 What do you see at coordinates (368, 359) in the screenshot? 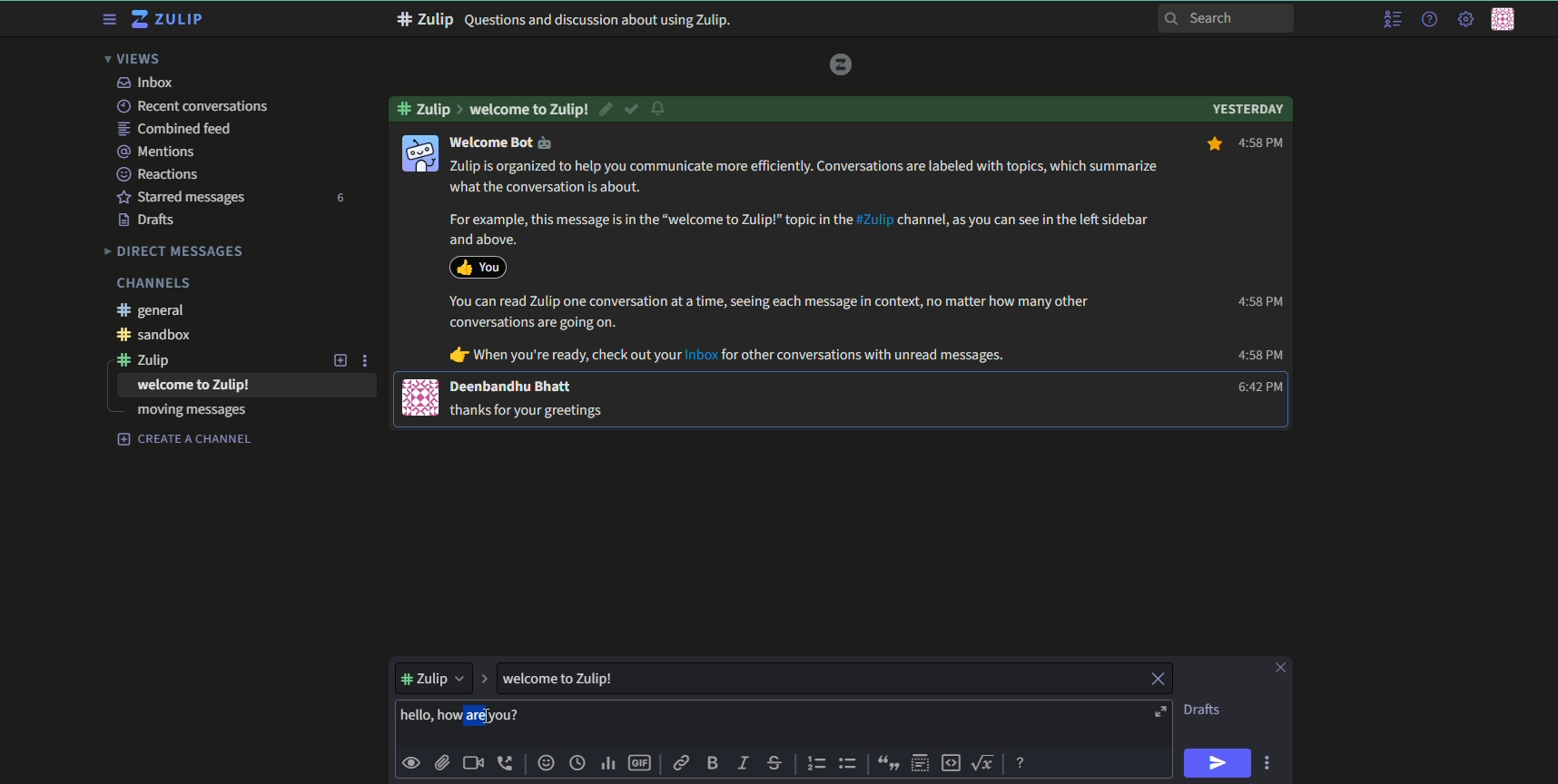
I see `options` at bounding box center [368, 359].